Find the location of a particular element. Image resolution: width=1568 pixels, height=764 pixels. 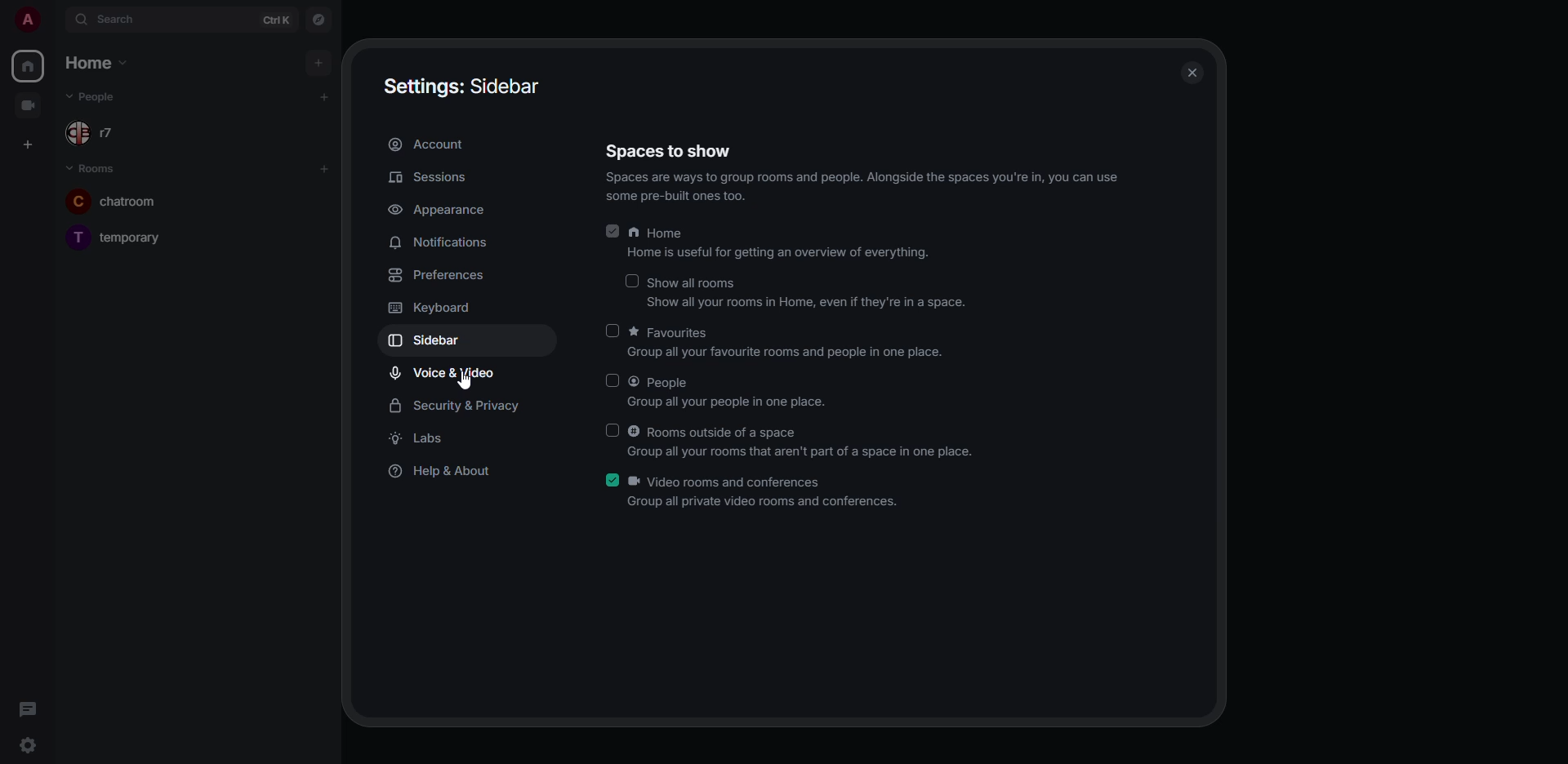

chatroom is located at coordinates (128, 201).